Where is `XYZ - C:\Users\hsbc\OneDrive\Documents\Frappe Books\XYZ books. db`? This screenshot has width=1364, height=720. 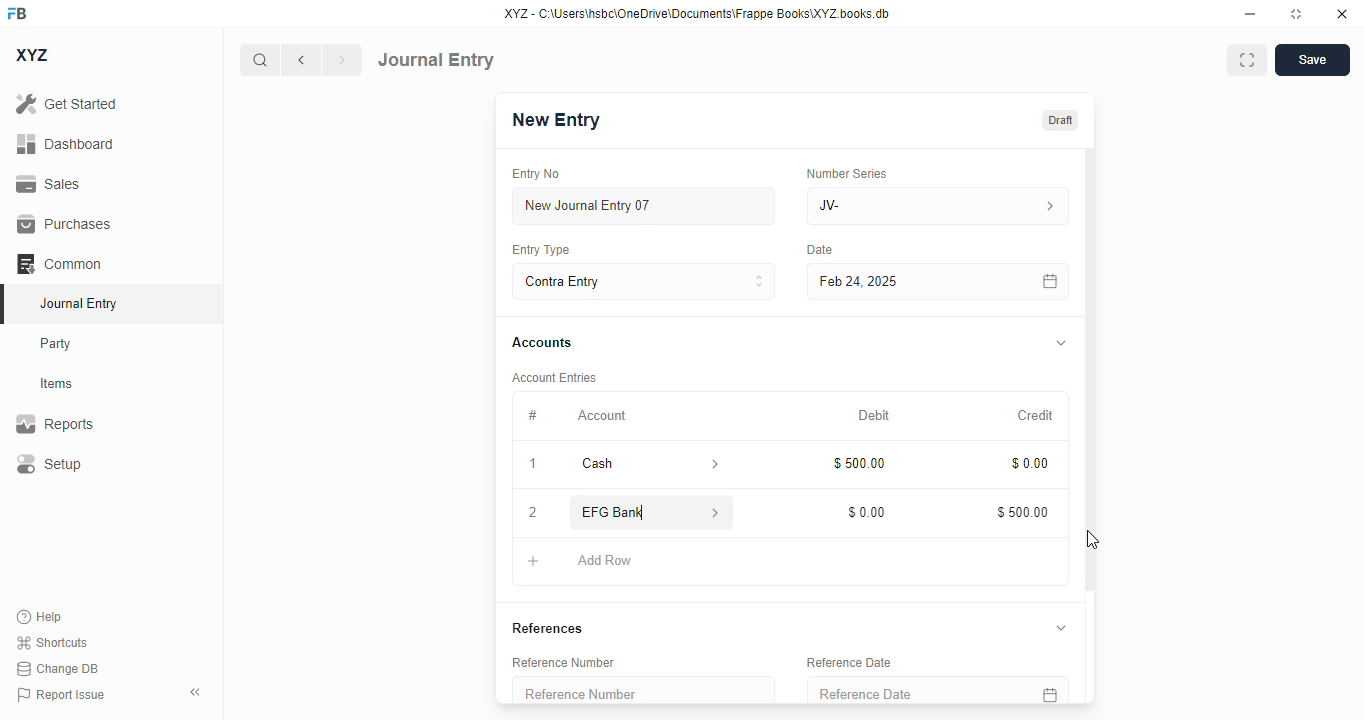 XYZ - C:\Users\hsbc\OneDrive\Documents\Frappe Books\XYZ books. db is located at coordinates (697, 14).